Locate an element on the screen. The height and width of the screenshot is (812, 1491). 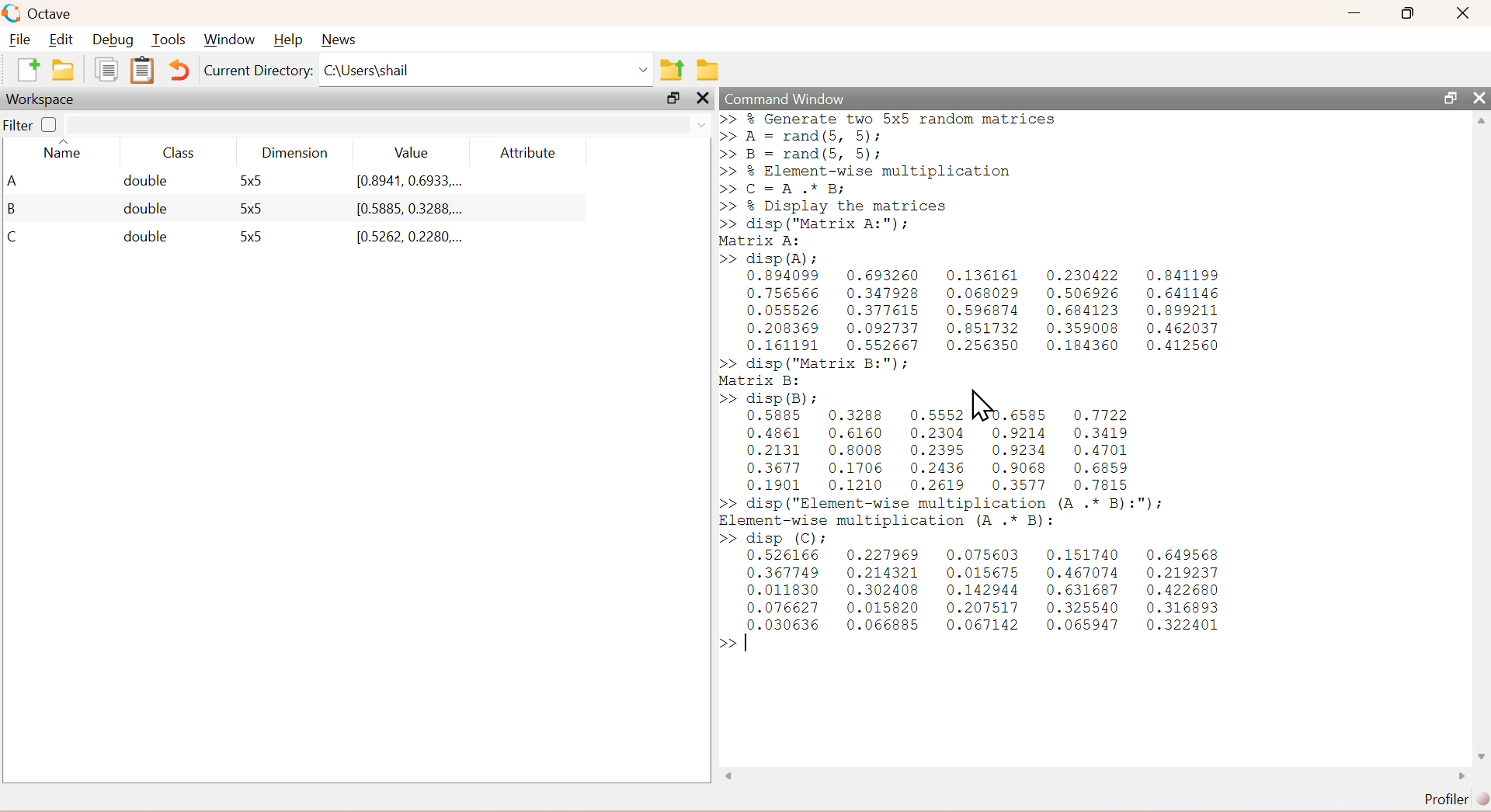
Filter is located at coordinates (36, 124).